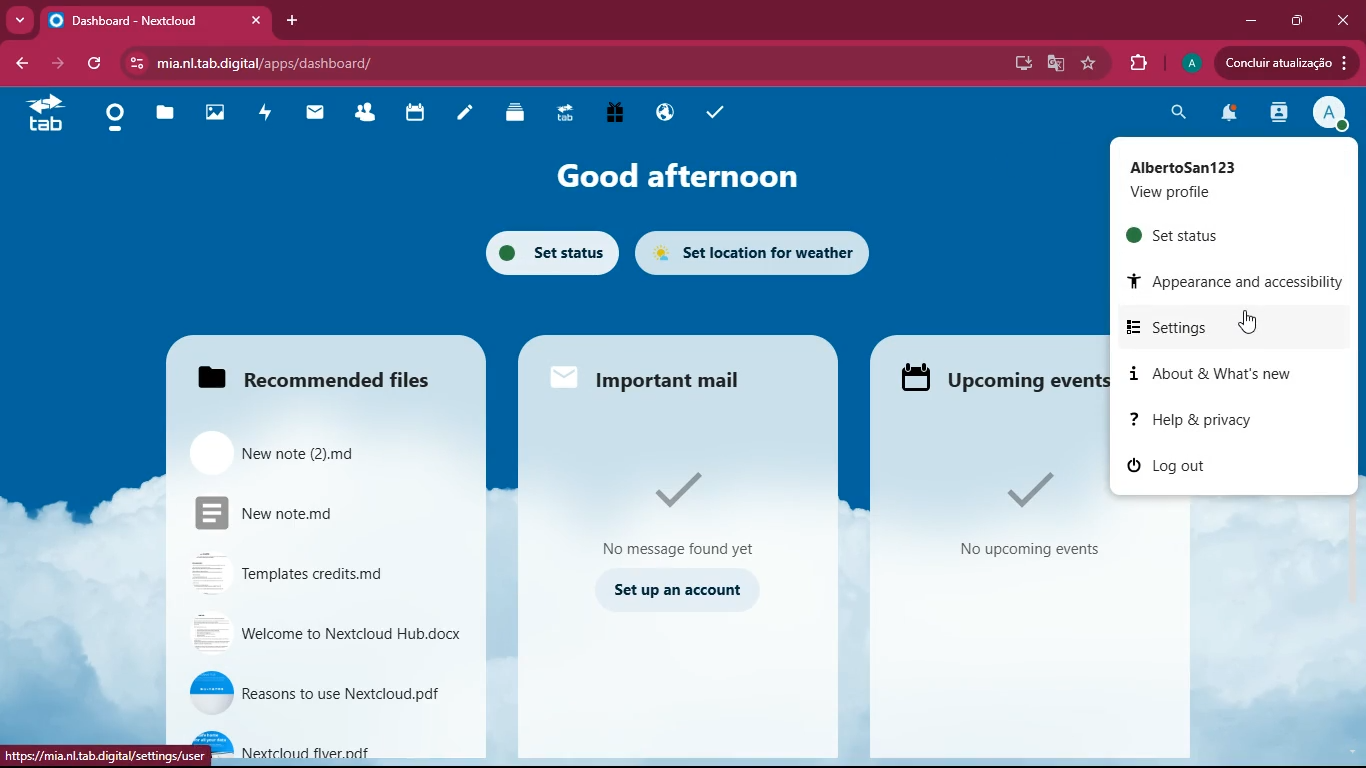  What do you see at coordinates (674, 588) in the screenshot?
I see `set account` at bounding box center [674, 588].